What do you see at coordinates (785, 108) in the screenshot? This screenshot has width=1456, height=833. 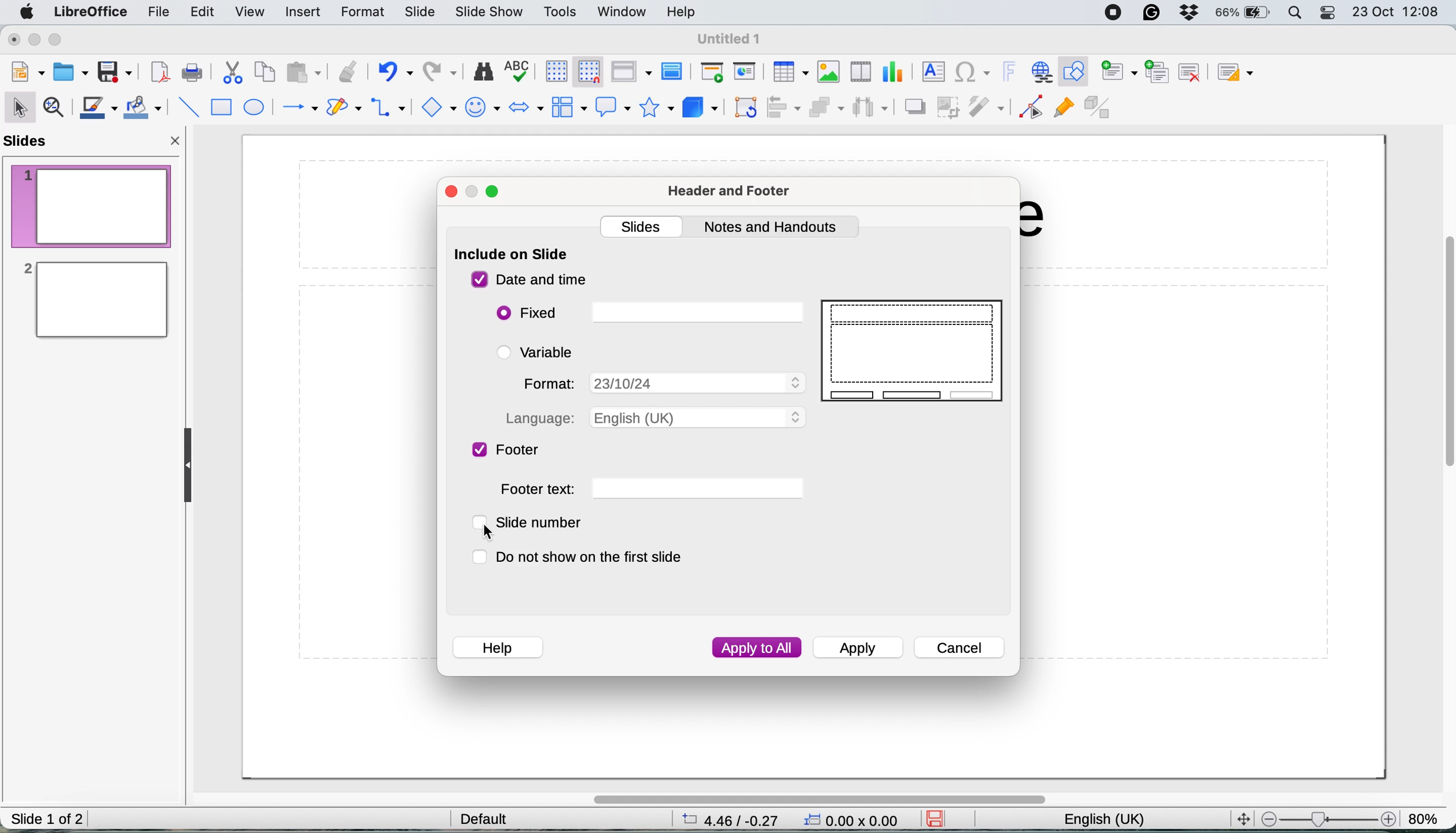 I see `align objects` at bounding box center [785, 108].